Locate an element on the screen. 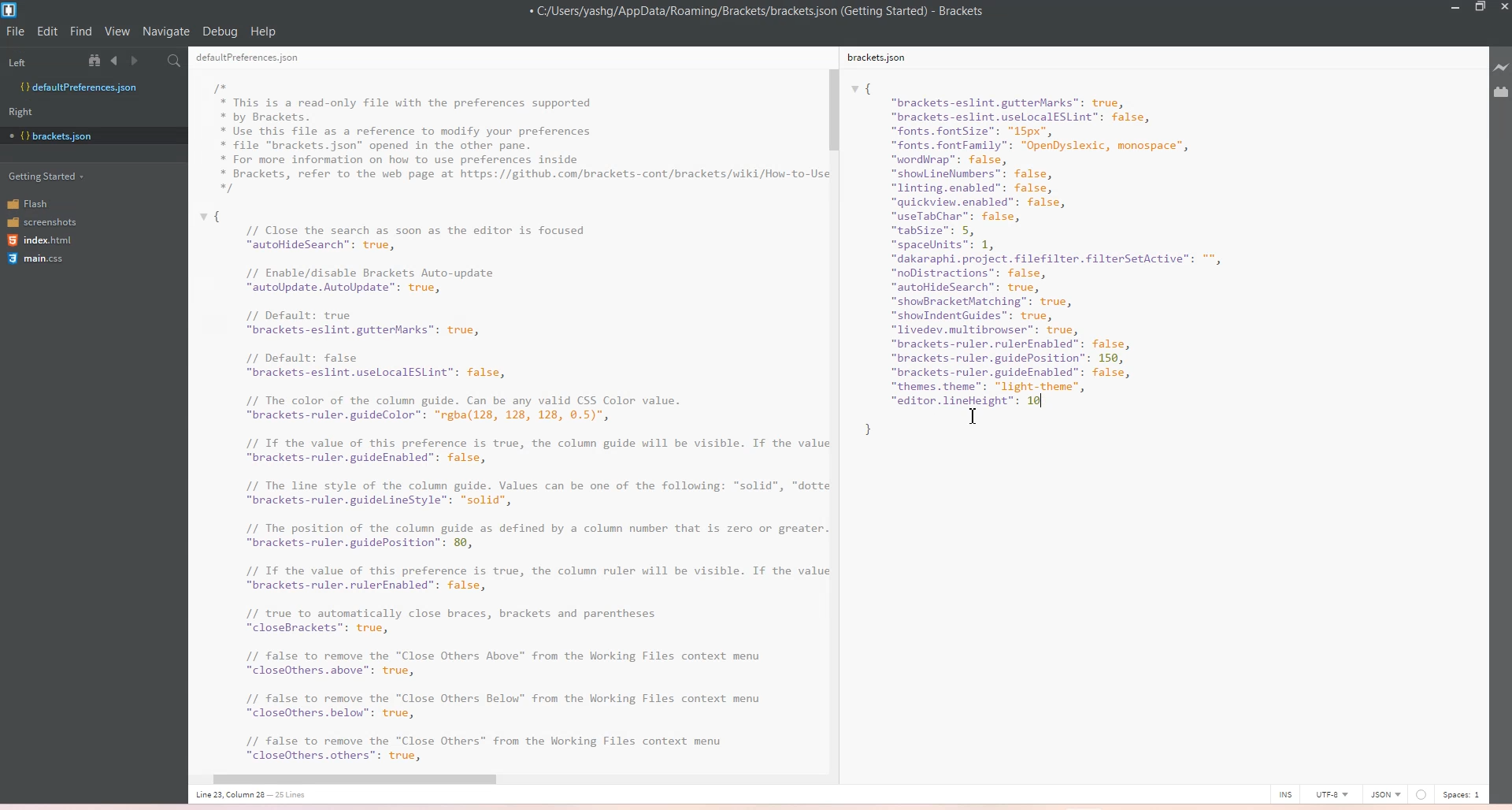 This screenshot has width=1512, height=810. INS is located at coordinates (1285, 793).